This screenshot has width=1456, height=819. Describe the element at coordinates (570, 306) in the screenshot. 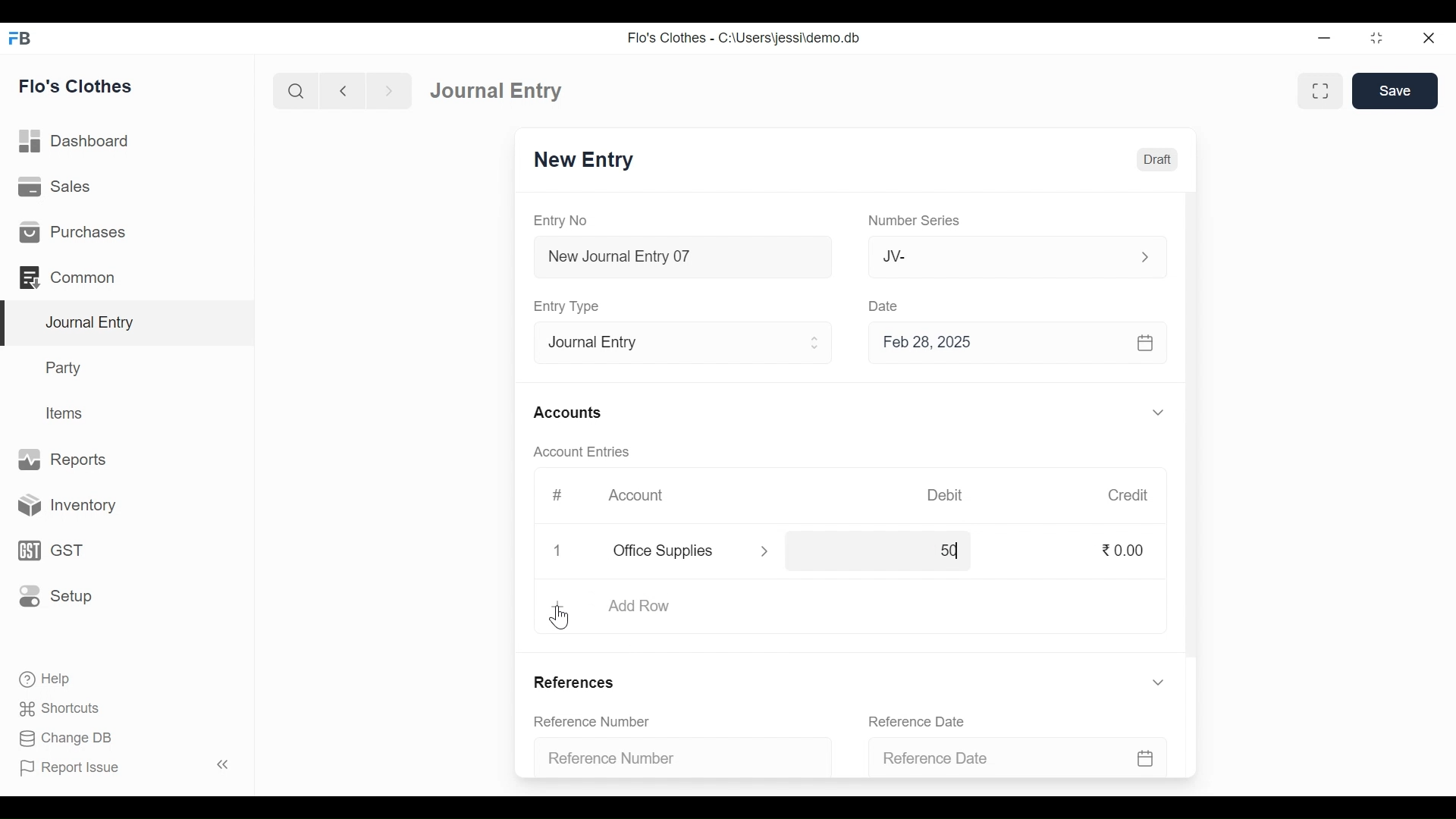

I see `Entry Type` at that location.